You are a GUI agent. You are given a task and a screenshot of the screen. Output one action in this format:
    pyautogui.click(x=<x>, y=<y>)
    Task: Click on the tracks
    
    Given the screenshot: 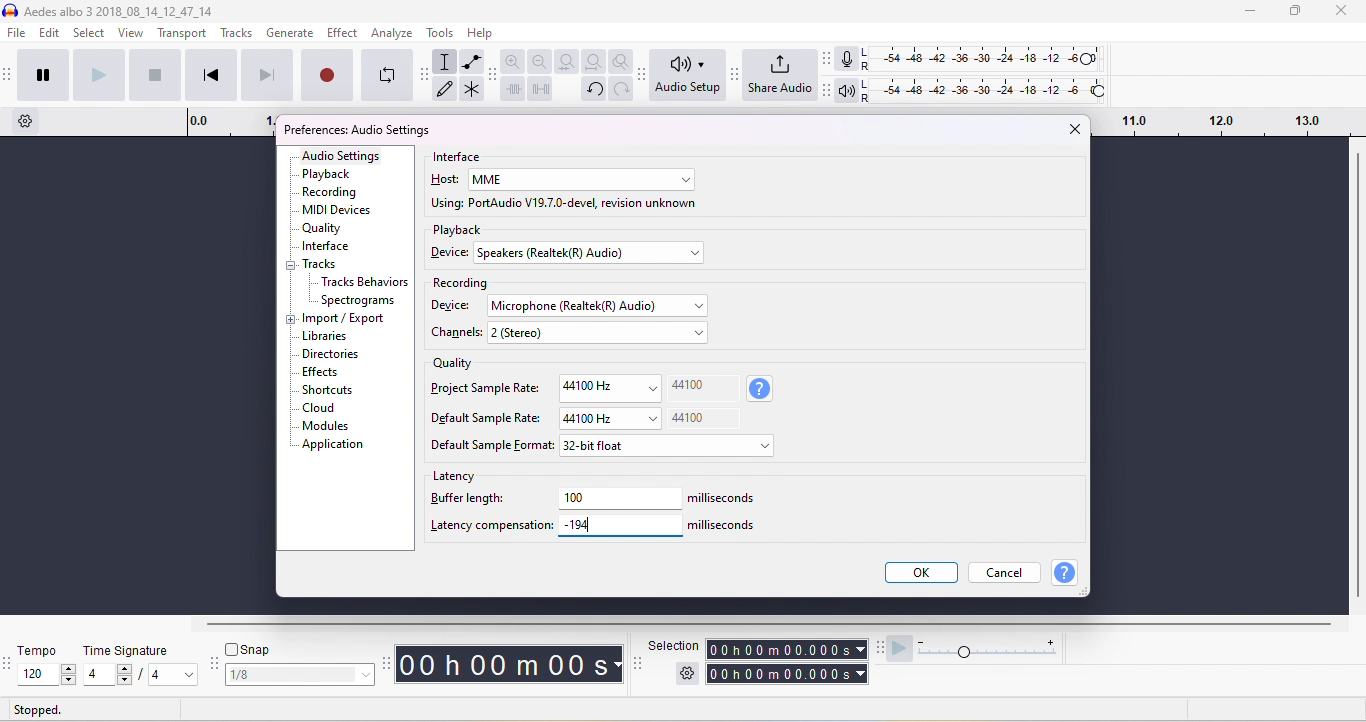 What is the action you would take?
    pyautogui.click(x=236, y=33)
    